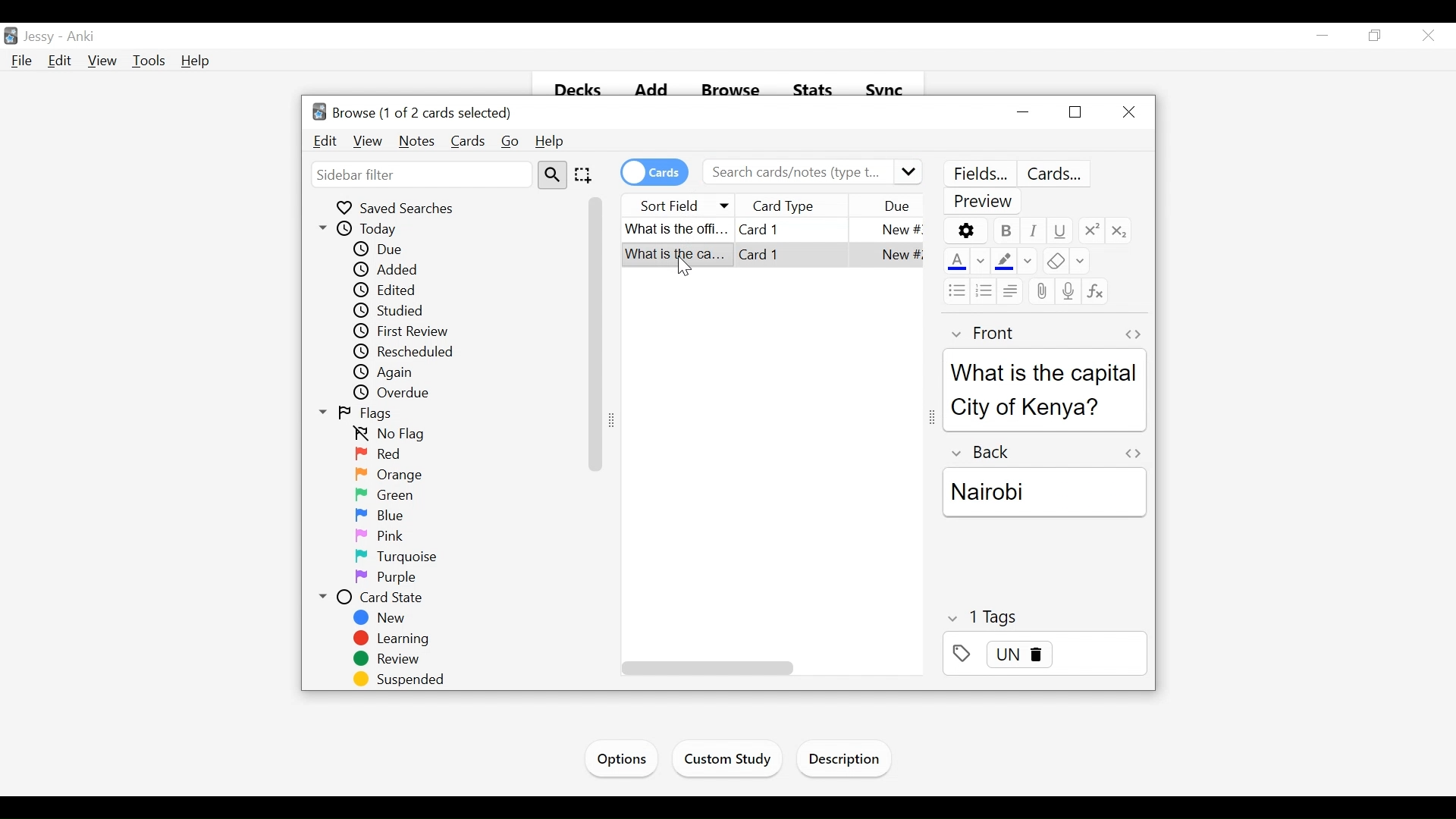 Image resolution: width=1456 pixels, height=819 pixels. I want to click on Browse, so click(730, 91).